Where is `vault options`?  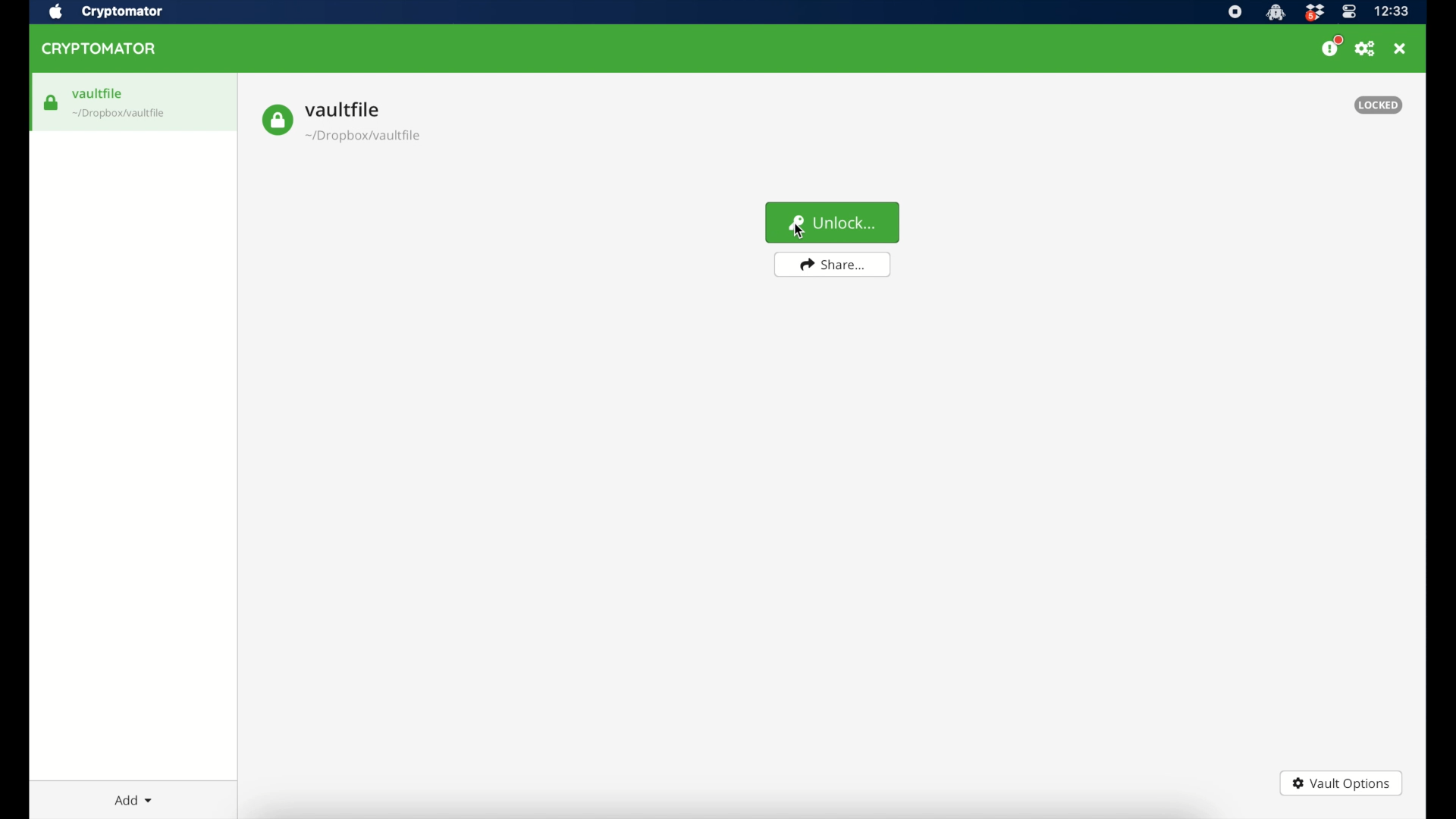
vault options is located at coordinates (1341, 783).